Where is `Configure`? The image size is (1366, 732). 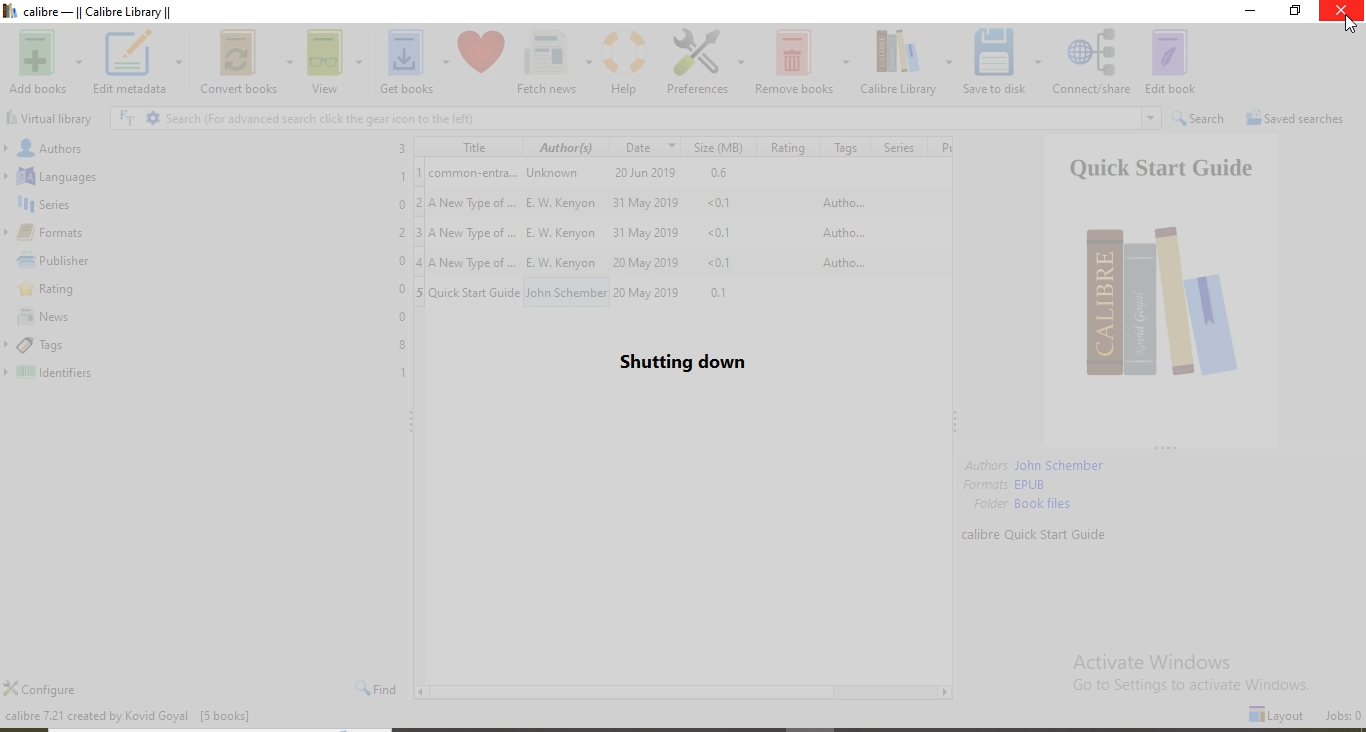 Configure is located at coordinates (40, 688).